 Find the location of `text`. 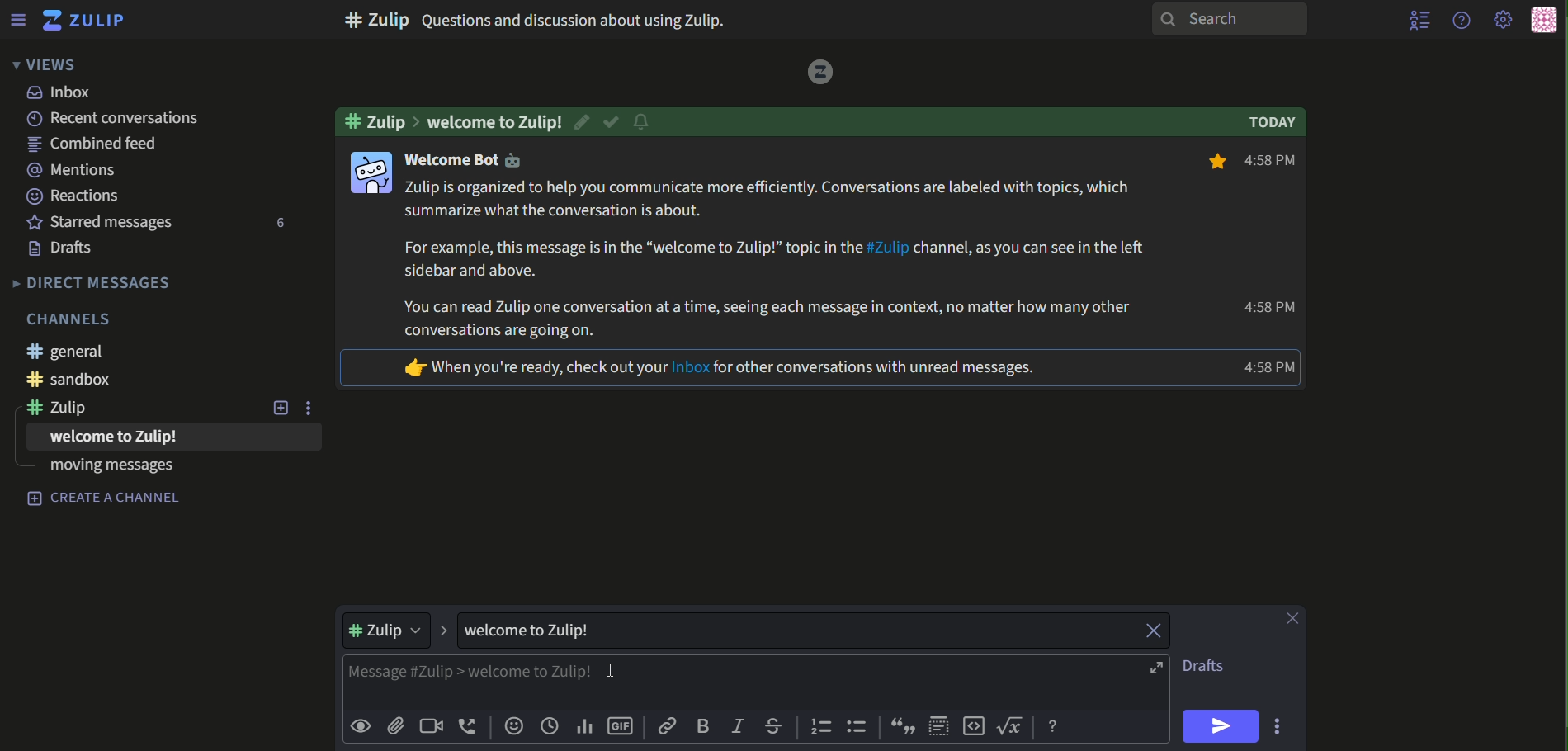

text is located at coordinates (106, 471).